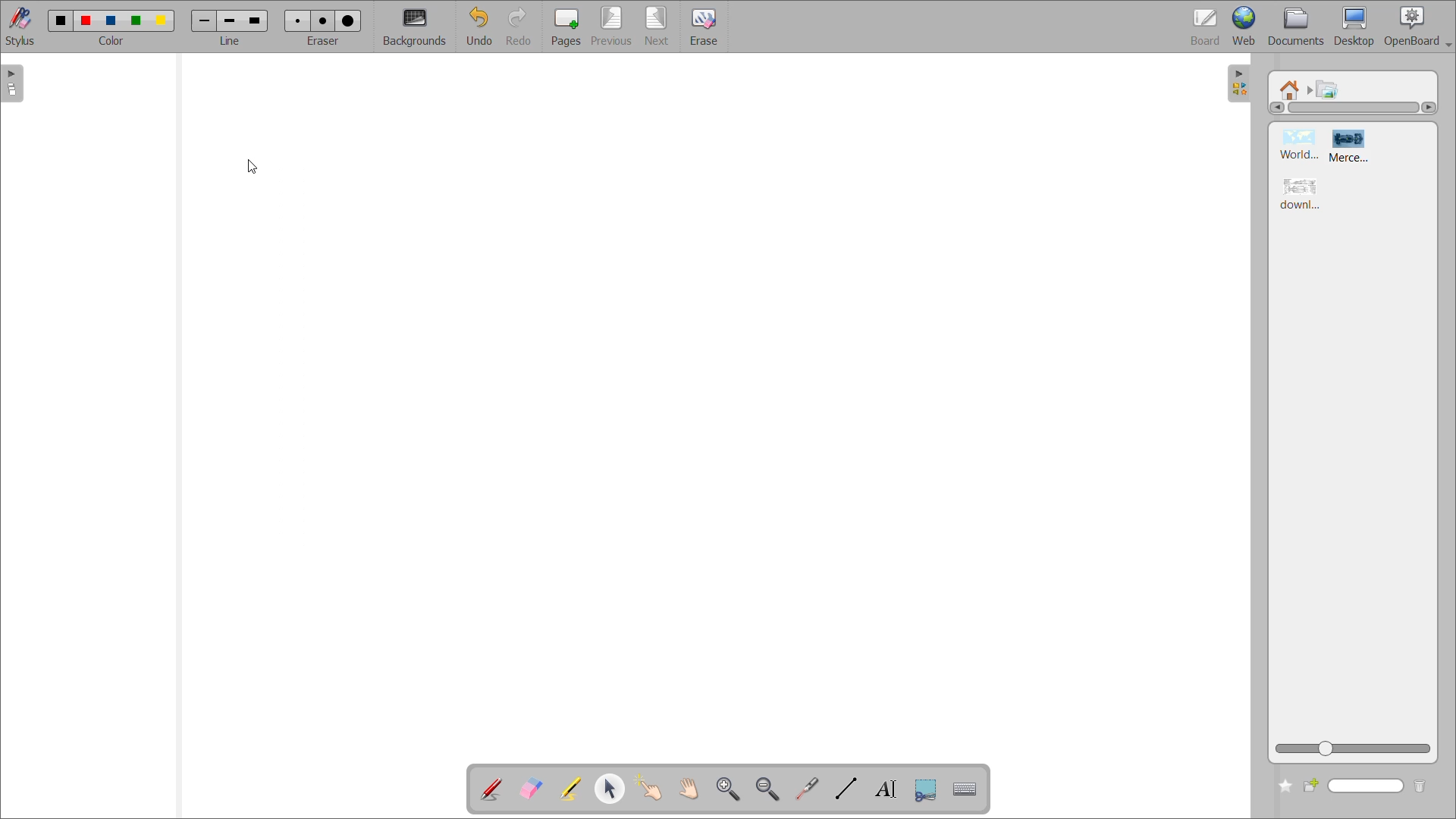  What do you see at coordinates (1418, 789) in the screenshot?
I see `delete` at bounding box center [1418, 789].